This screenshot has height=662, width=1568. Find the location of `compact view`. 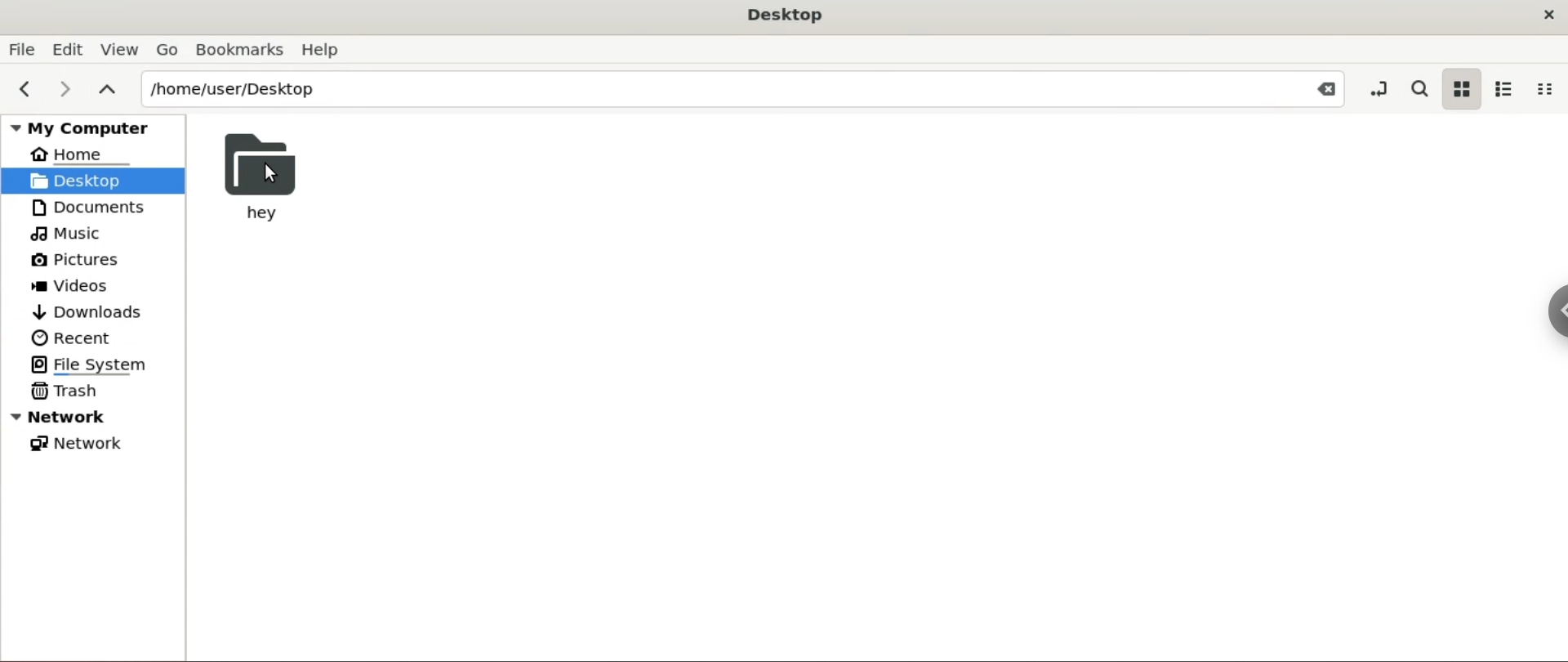

compact view is located at coordinates (1549, 88).